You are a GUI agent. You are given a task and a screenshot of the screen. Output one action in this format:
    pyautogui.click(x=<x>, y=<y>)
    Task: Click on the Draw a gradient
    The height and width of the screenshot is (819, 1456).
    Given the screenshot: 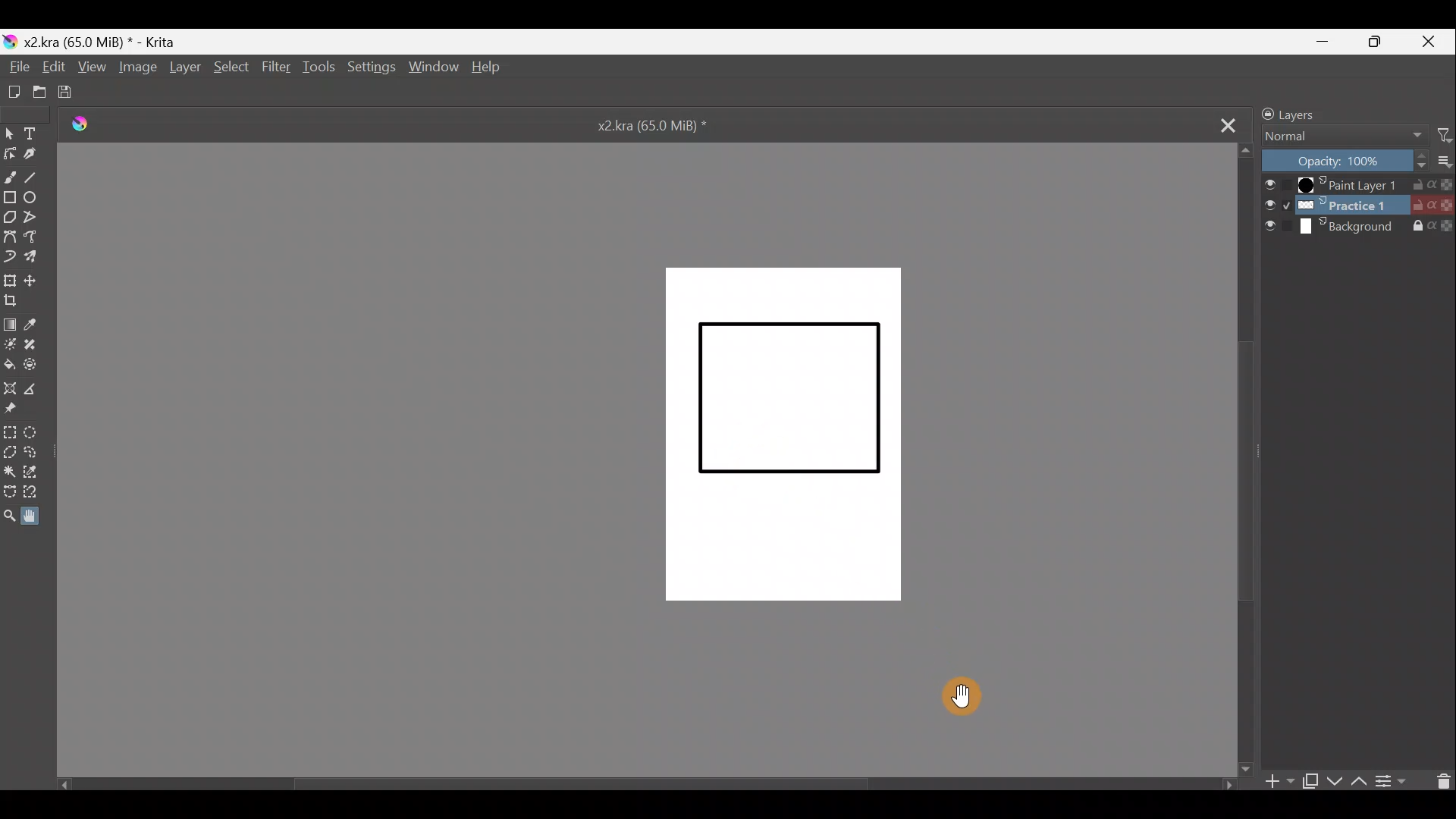 What is the action you would take?
    pyautogui.click(x=11, y=323)
    